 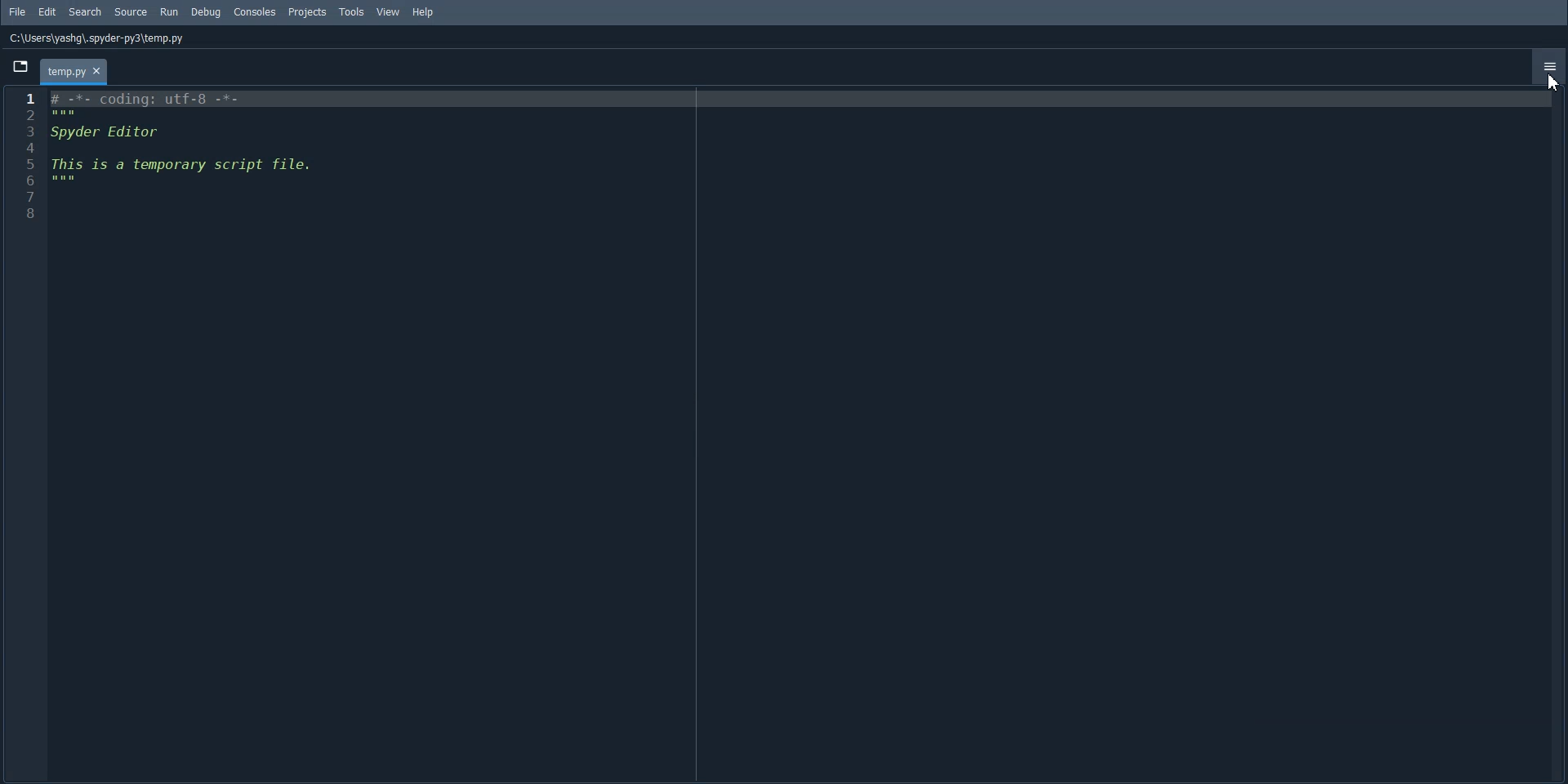 What do you see at coordinates (389, 12) in the screenshot?
I see `View` at bounding box center [389, 12].